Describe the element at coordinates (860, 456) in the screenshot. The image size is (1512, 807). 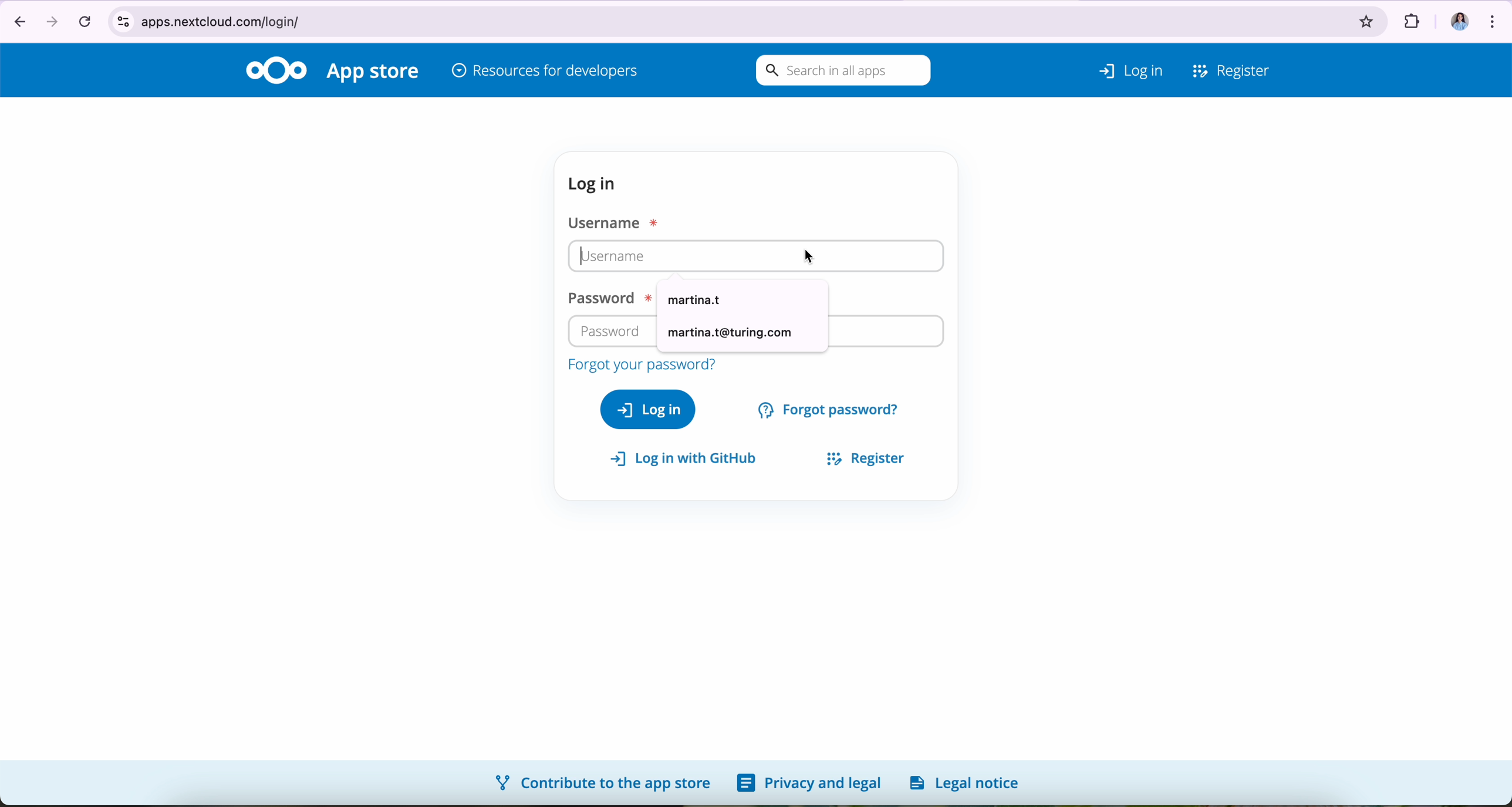
I see `register` at that location.